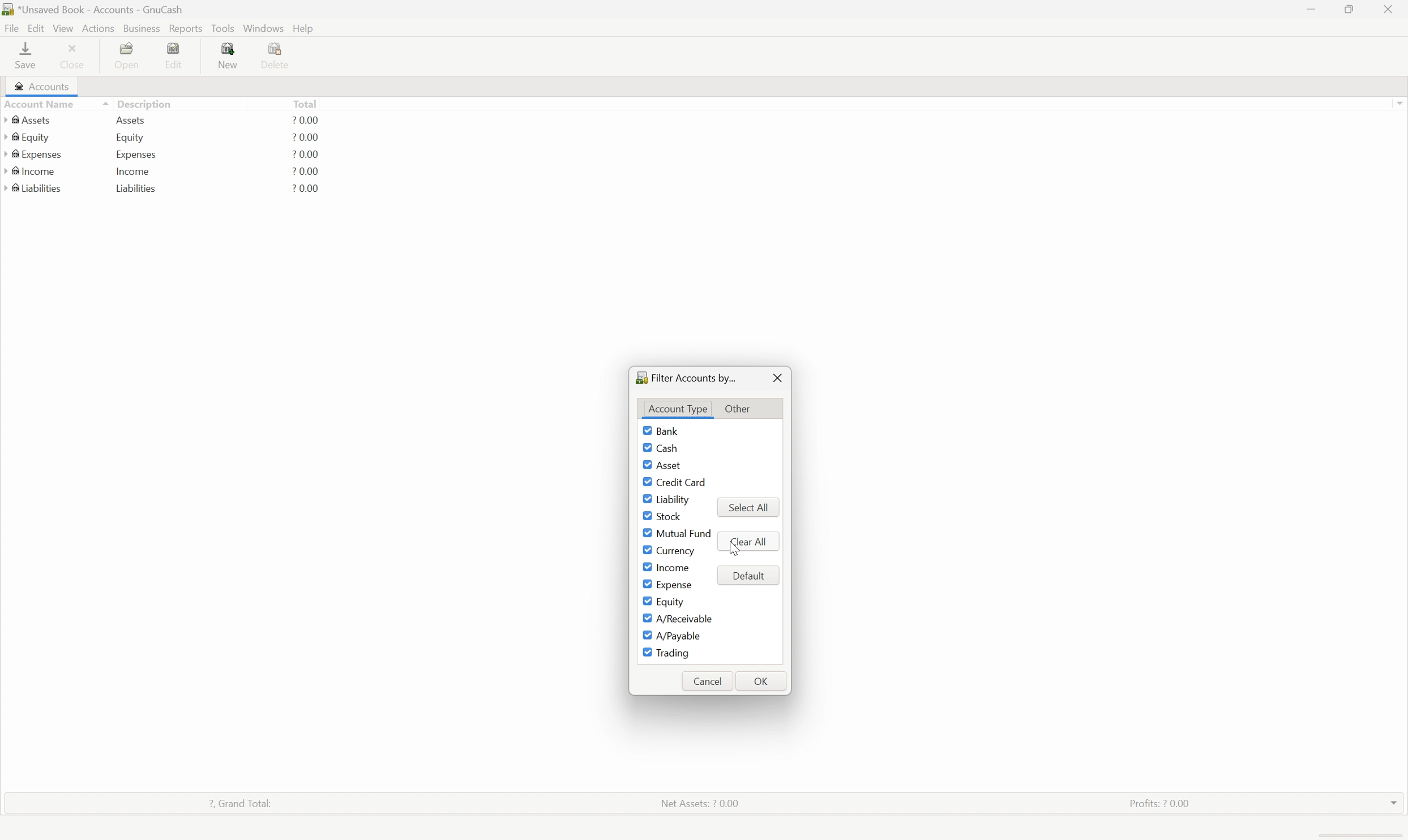  Describe the element at coordinates (41, 87) in the screenshot. I see `Accounts` at that location.